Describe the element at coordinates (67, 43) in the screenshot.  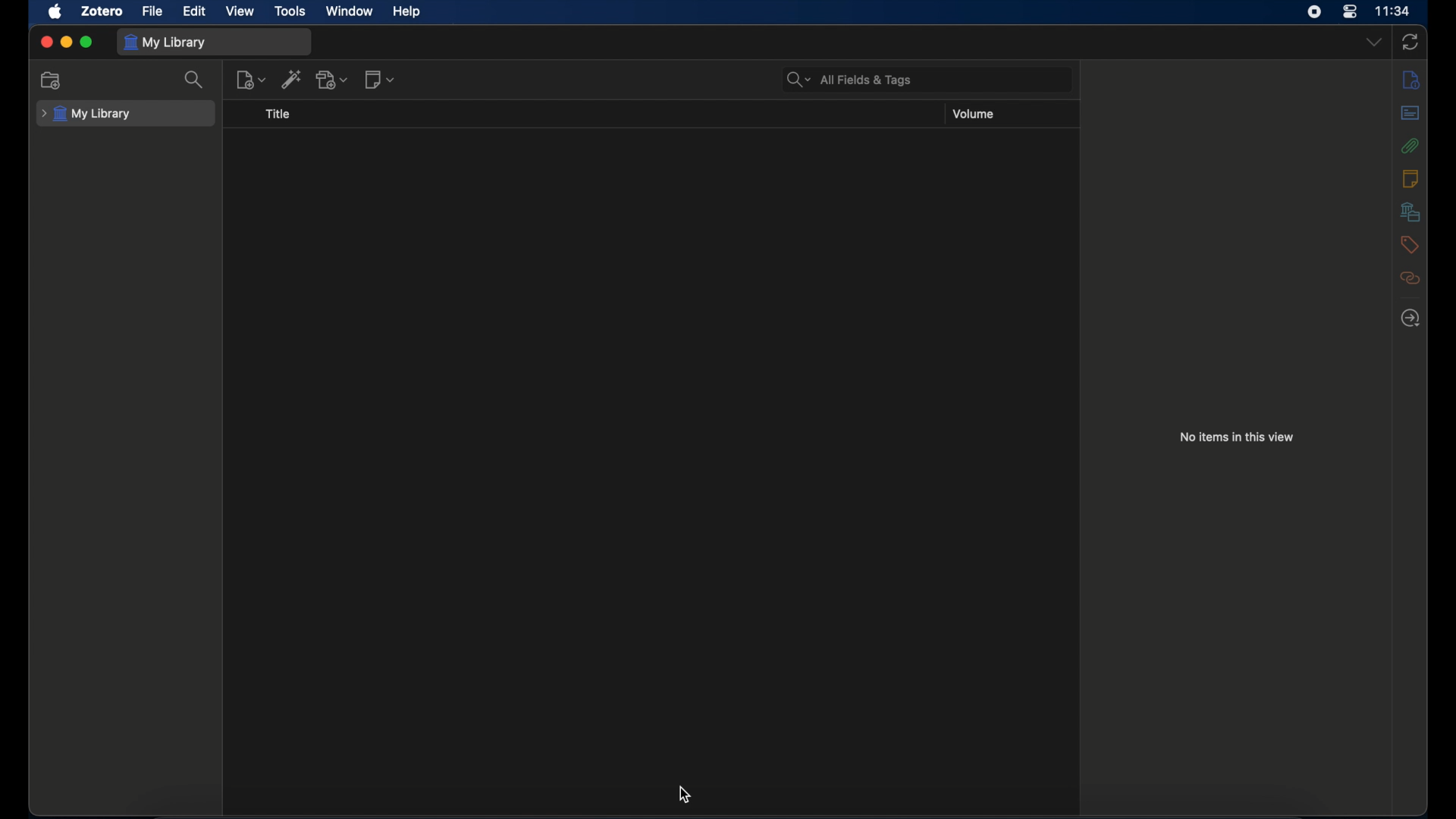
I see `minimize` at that location.